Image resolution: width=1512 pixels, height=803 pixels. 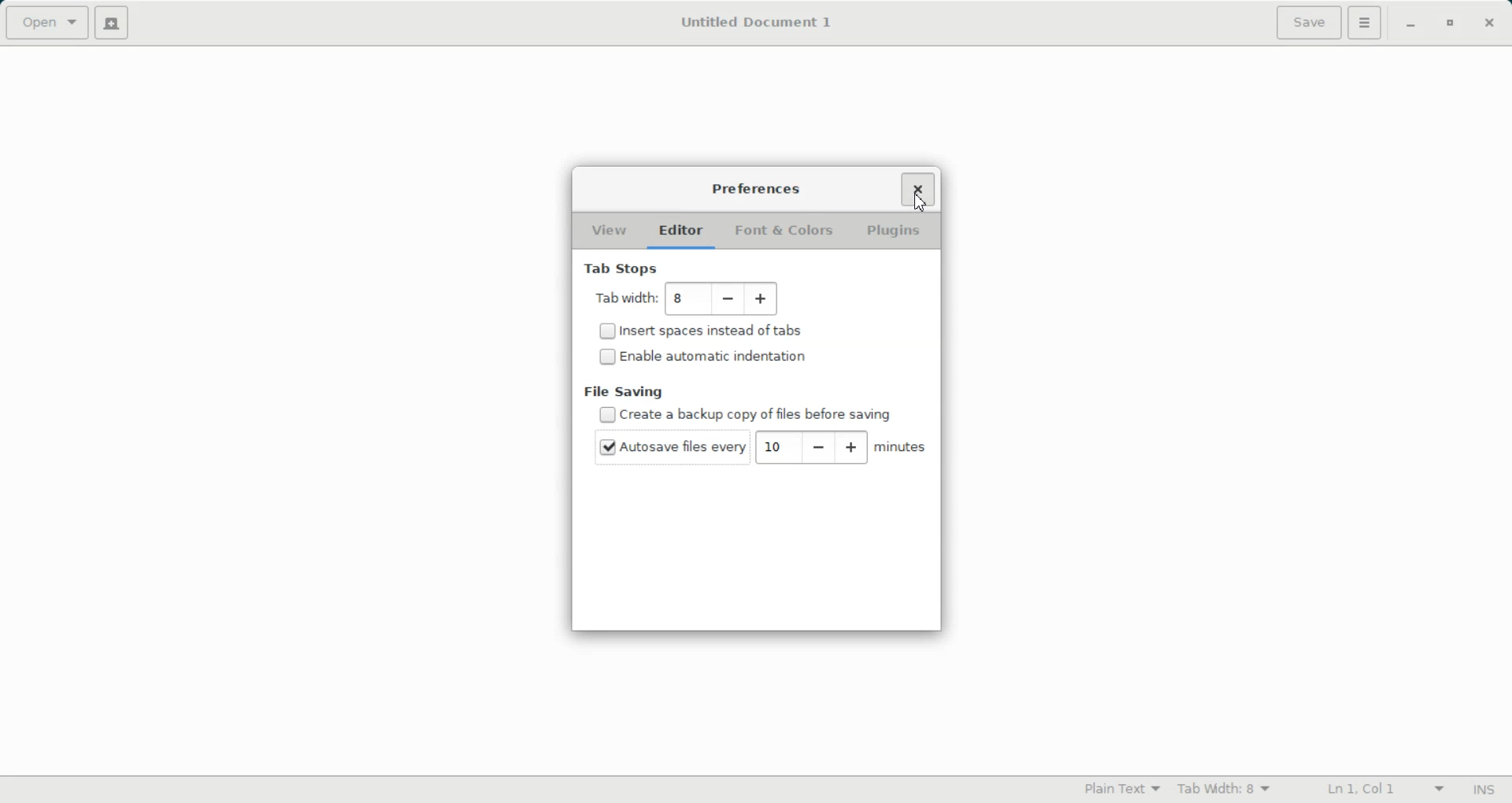 What do you see at coordinates (918, 191) in the screenshot?
I see `Close` at bounding box center [918, 191].